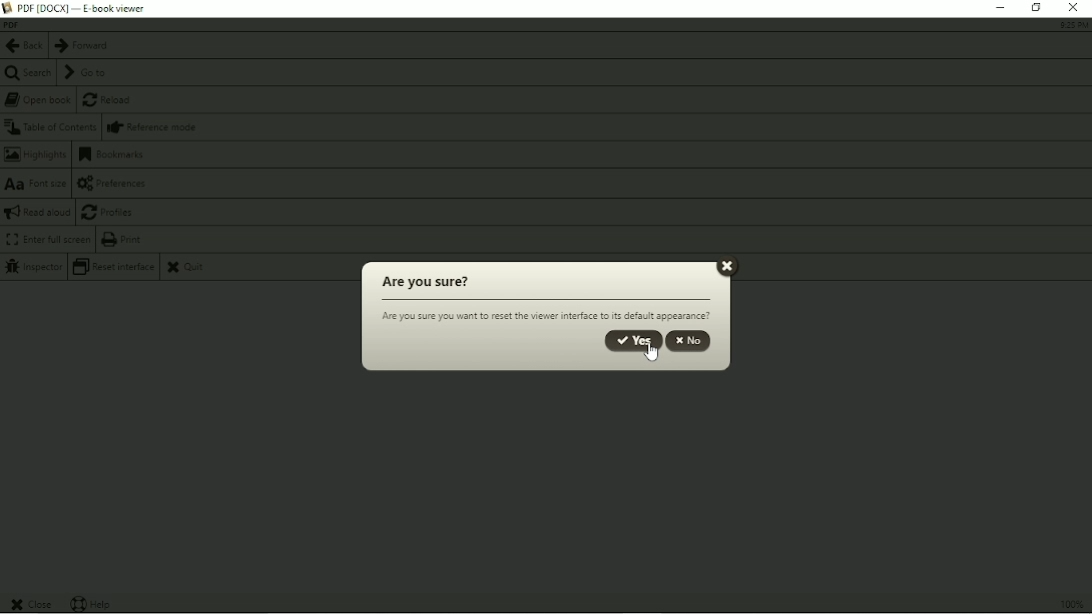 The image size is (1092, 614). What do you see at coordinates (112, 155) in the screenshot?
I see `Bookmarks` at bounding box center [112, 155].